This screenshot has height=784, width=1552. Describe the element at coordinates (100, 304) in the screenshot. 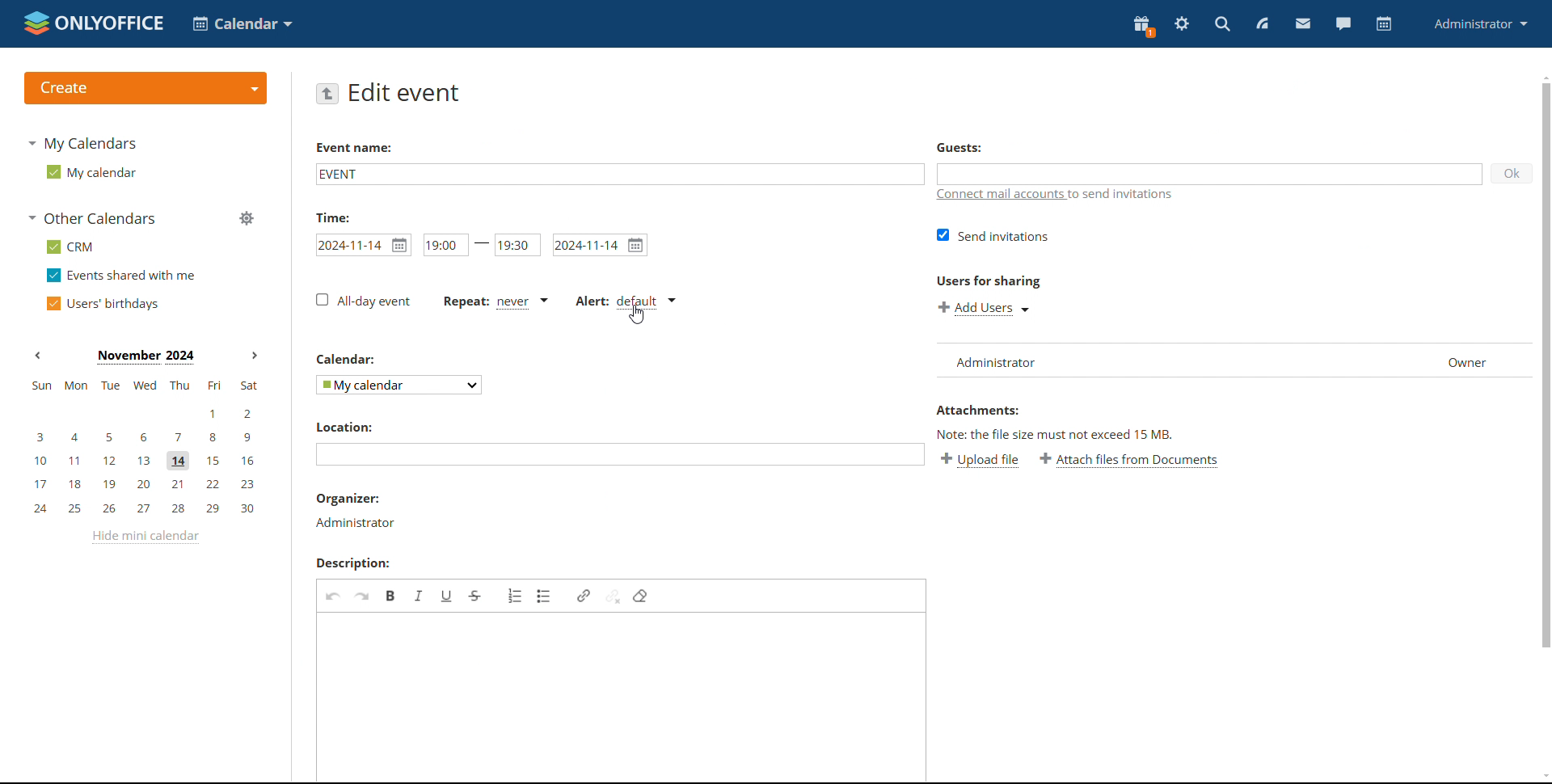

I see `users' birthdays` at that location.